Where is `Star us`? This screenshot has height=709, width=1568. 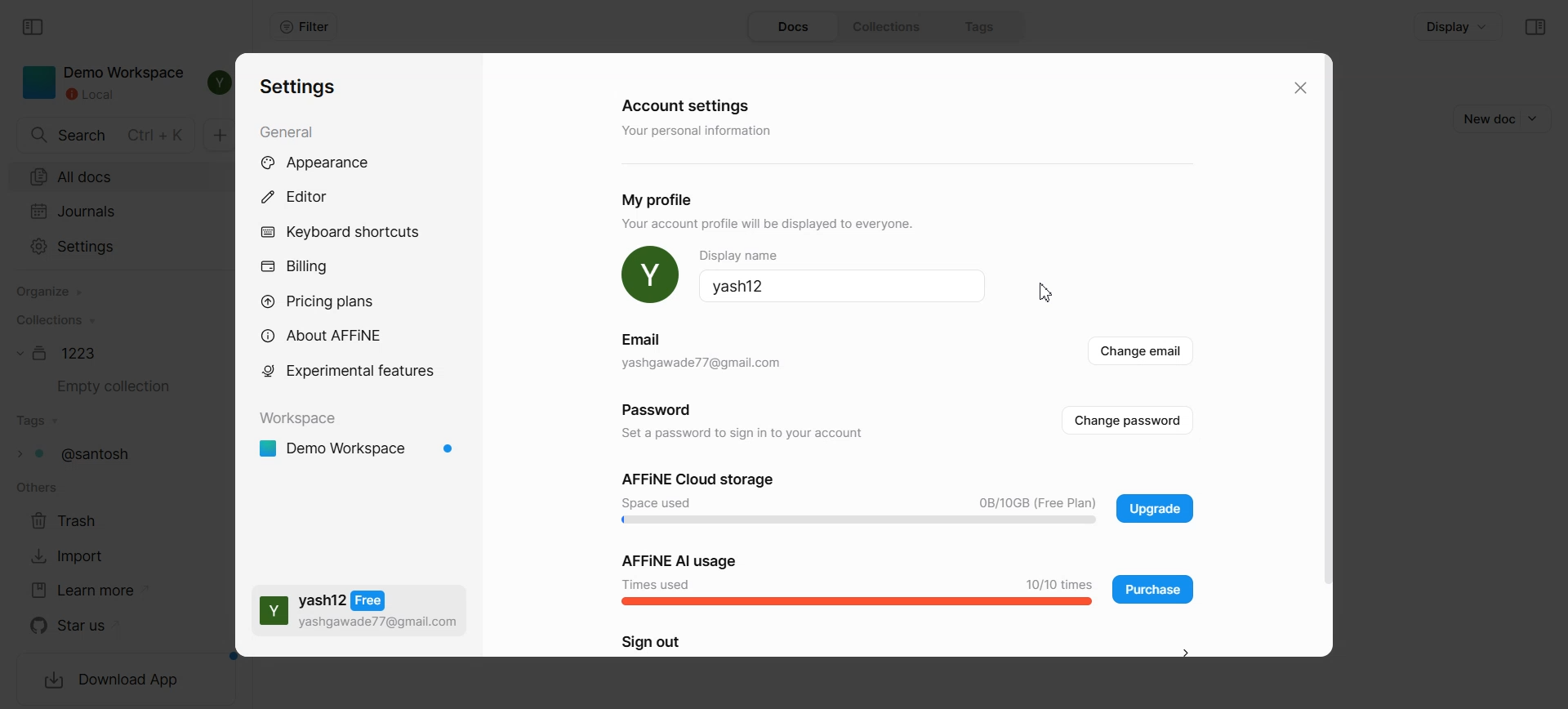 Star us is located at coordinates (91, 626).